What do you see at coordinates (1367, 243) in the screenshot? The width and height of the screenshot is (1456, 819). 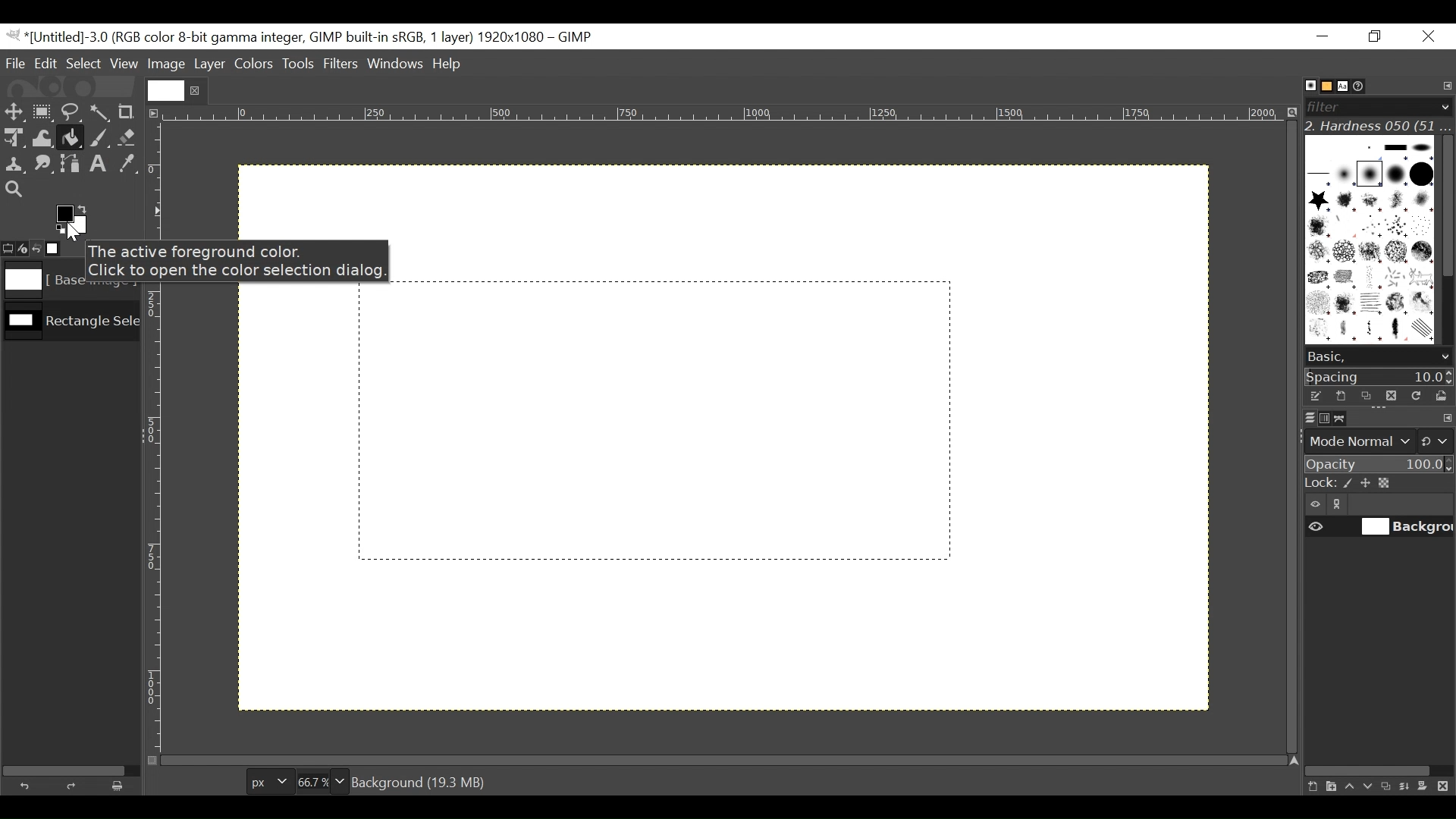 I see `Patterns` at bounding box center [1367, 243].